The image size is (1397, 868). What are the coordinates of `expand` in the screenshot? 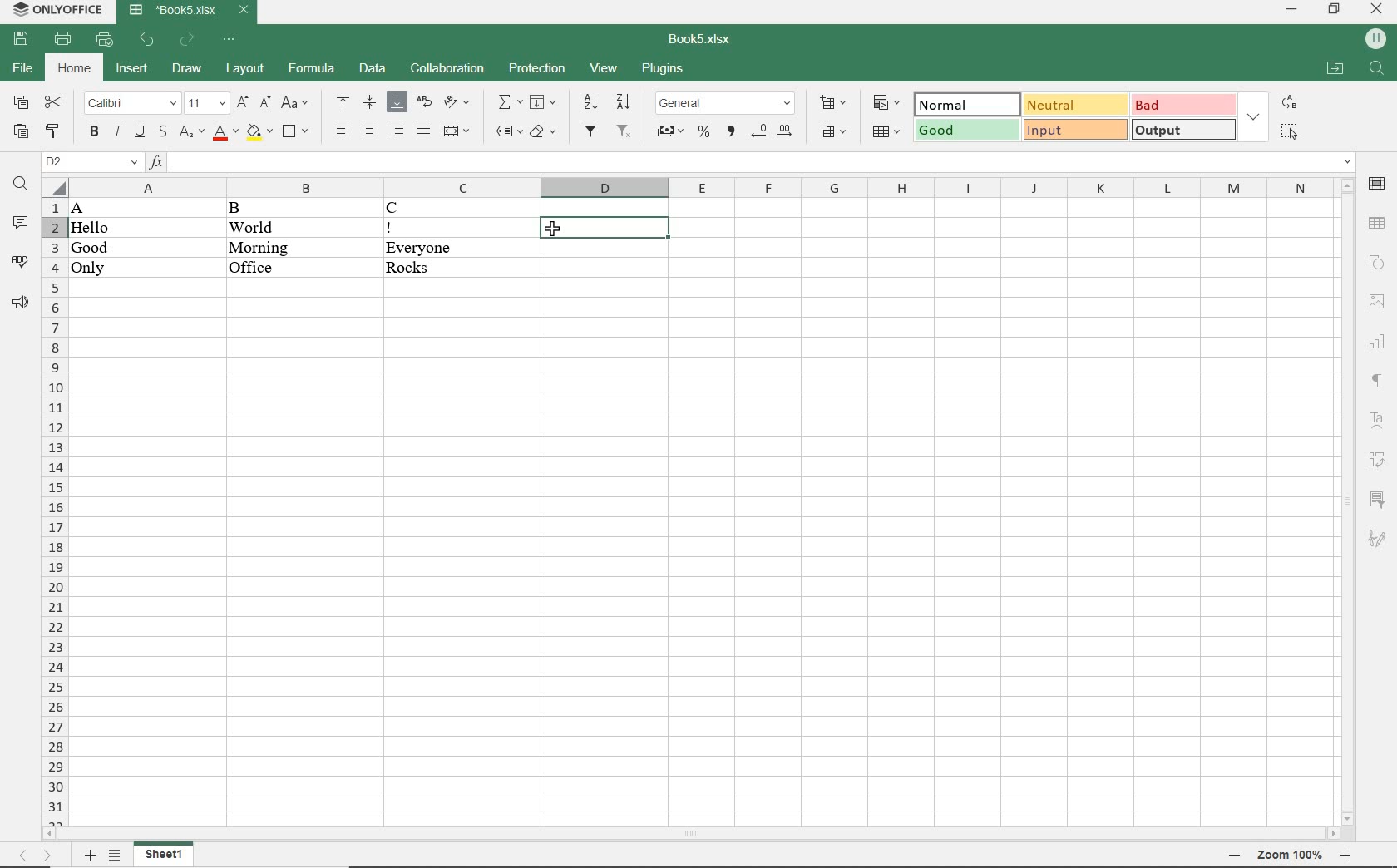 It's located at (1255, 116).